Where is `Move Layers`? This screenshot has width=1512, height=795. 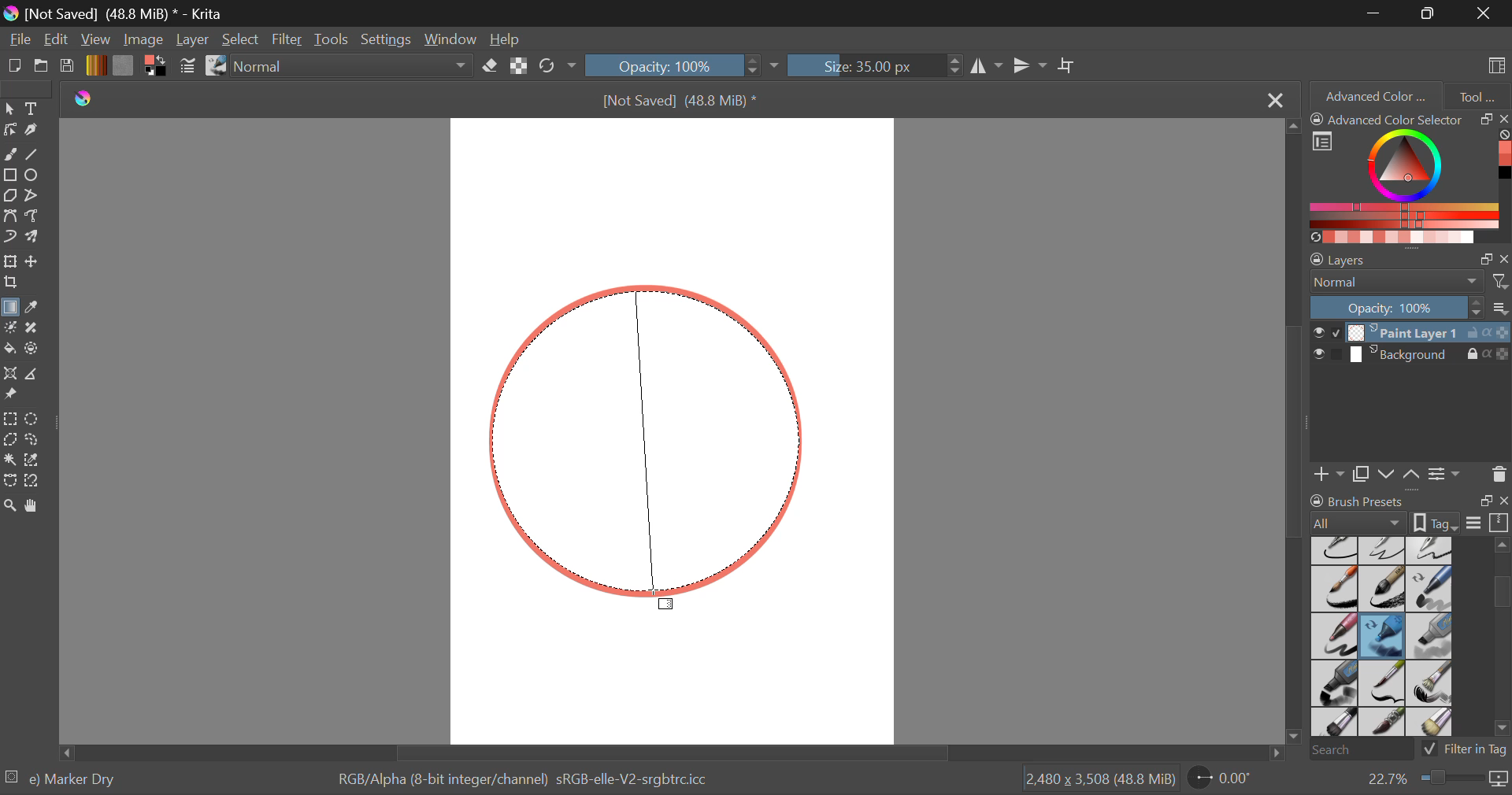
Move Layers is located at coordinates (1400, 472).